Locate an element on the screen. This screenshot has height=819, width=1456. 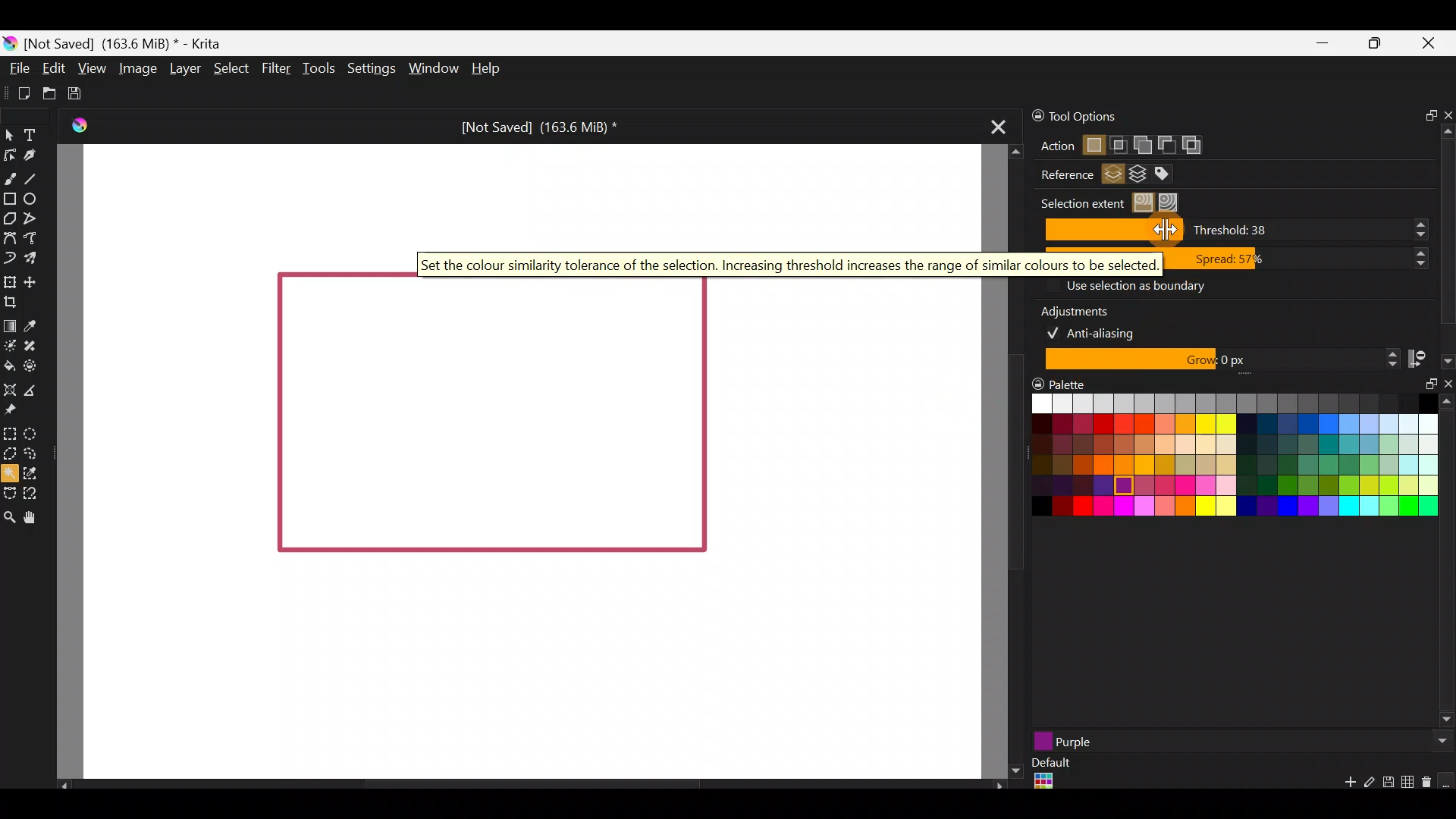
Text tool is located at coordinates (31, 133).